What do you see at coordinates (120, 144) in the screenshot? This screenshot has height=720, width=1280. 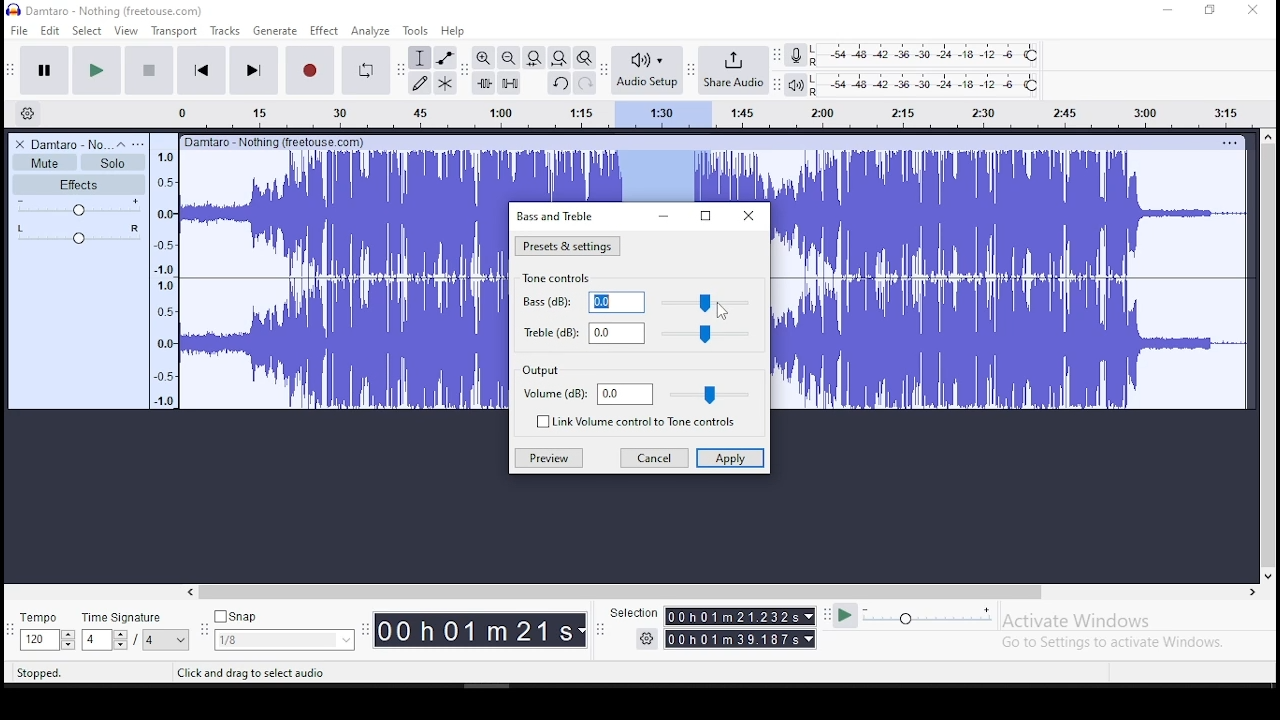 I see `collapse` at bounding box center [120, 144].